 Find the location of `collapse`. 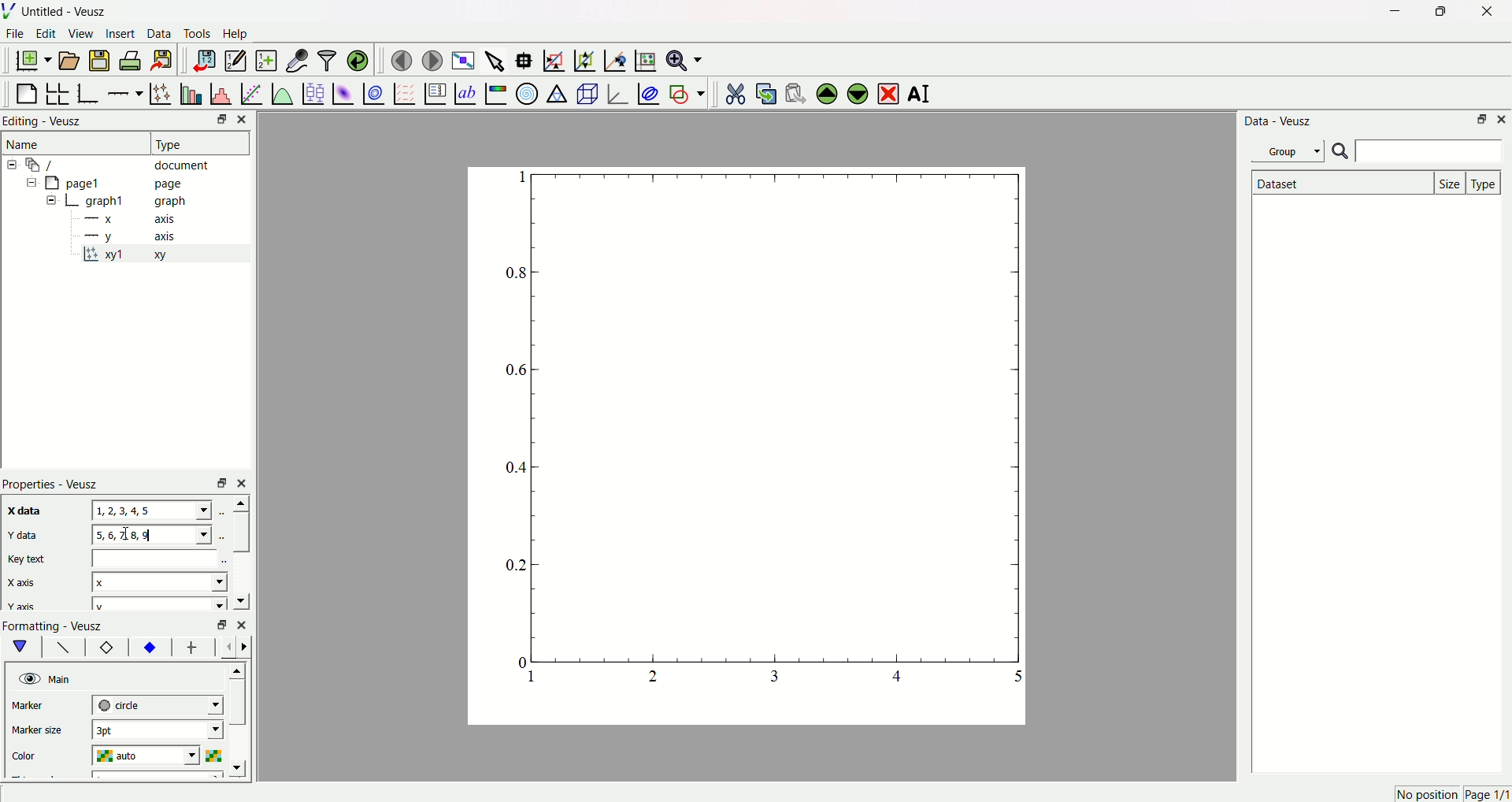

collapse is located at coordinates (14, 165).